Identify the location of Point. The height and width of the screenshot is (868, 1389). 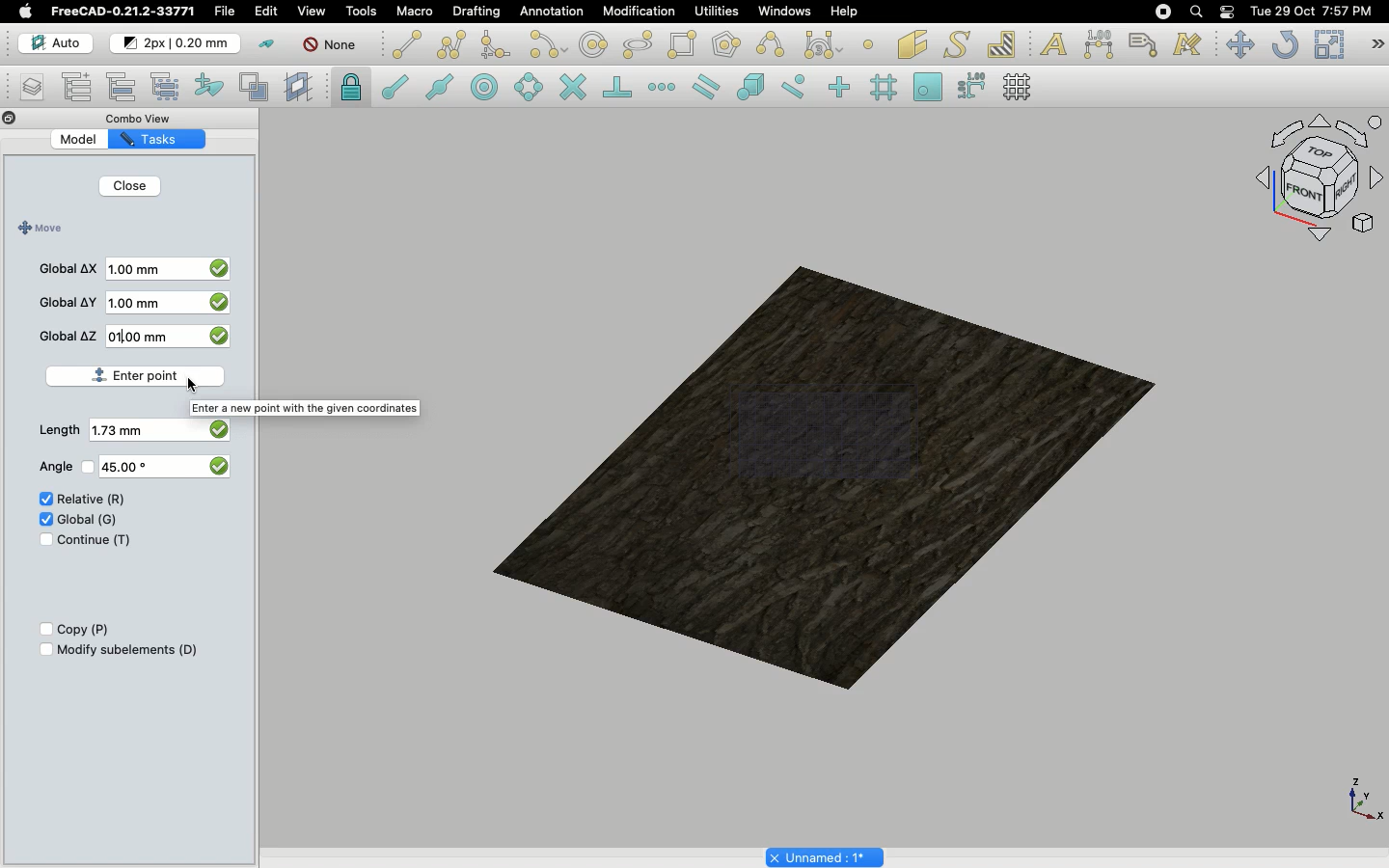
(868, 42).